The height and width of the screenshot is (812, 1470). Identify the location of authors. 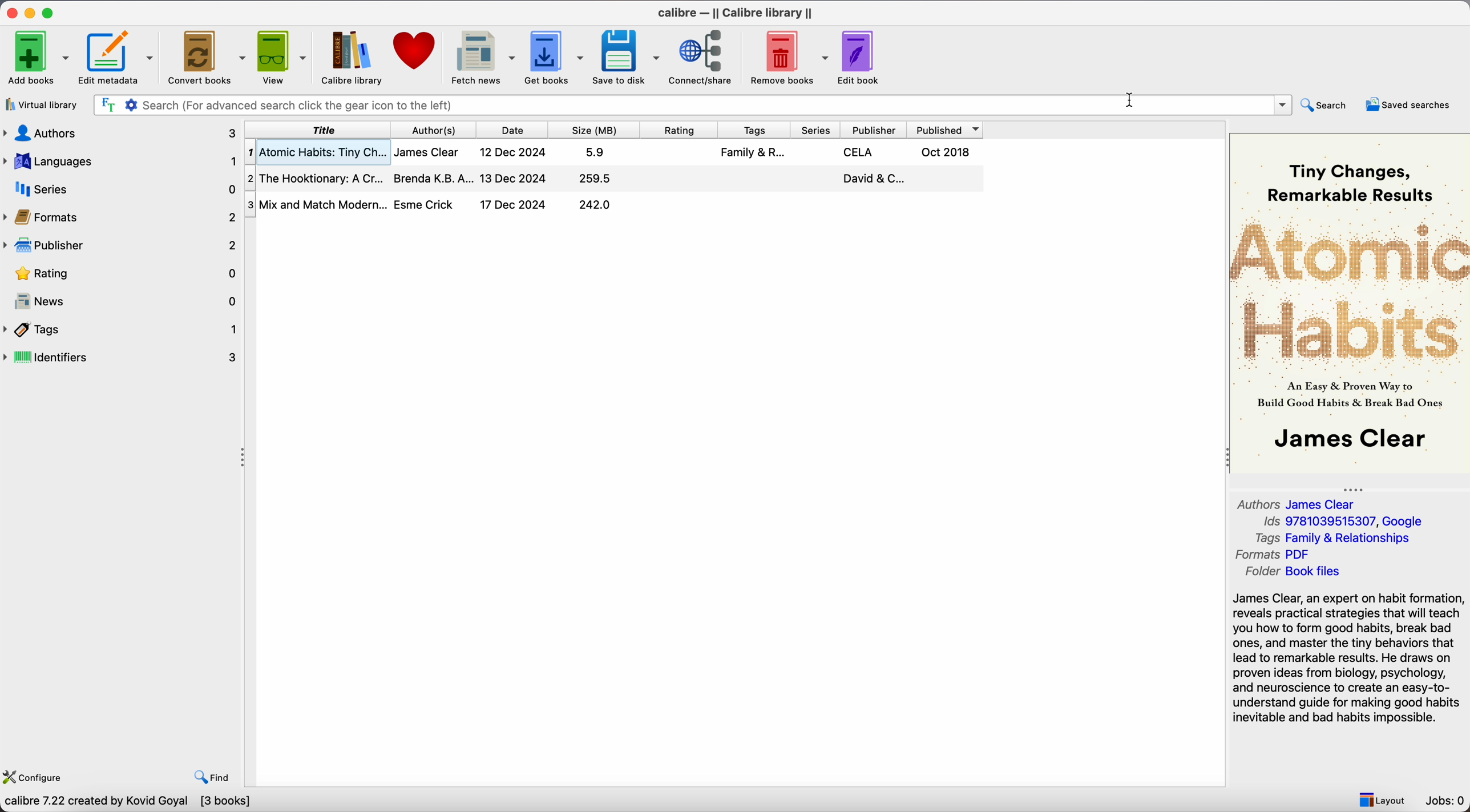
(439, 130).